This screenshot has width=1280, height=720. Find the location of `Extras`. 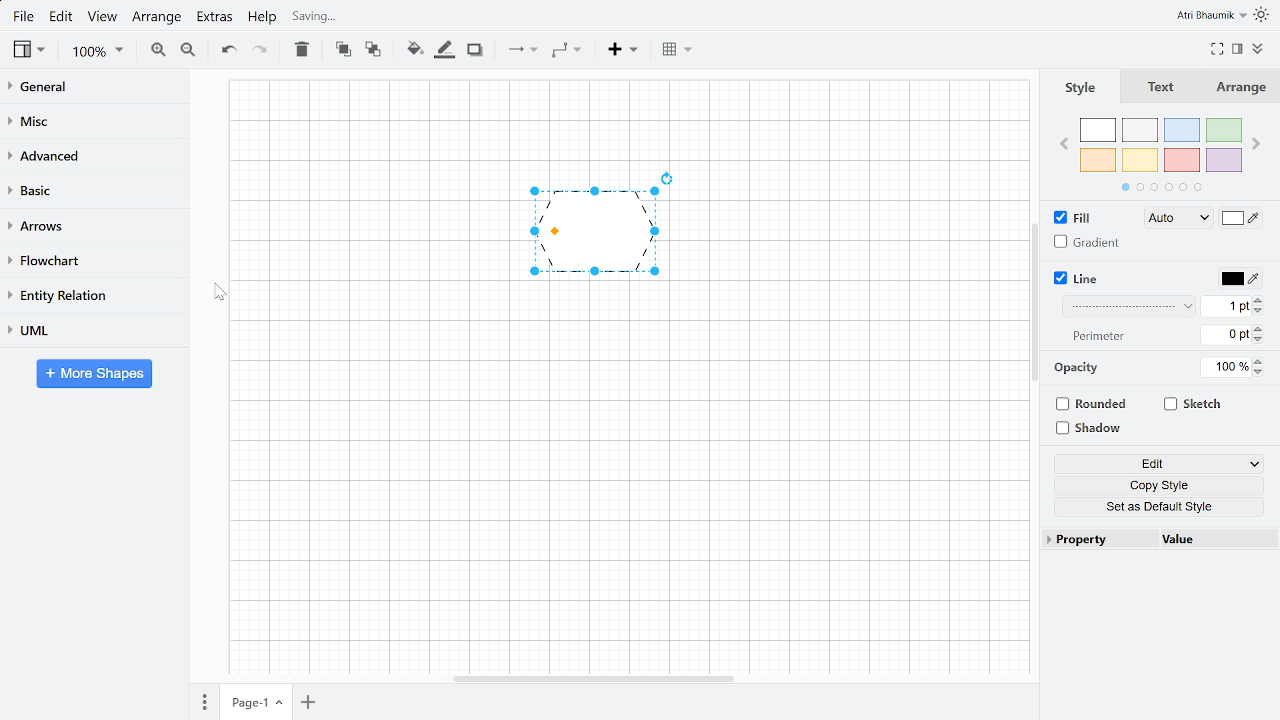

Extras is located at coordinates (215, 17).